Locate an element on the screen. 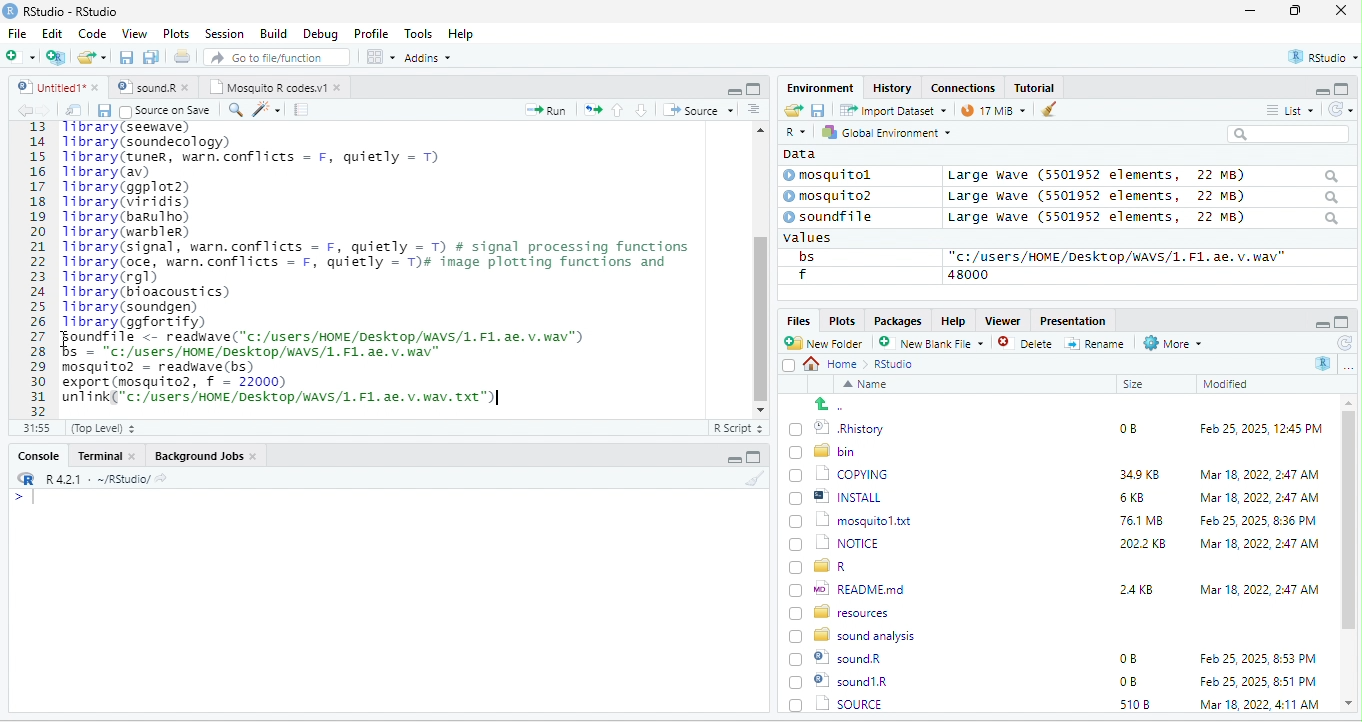 This screenshot has height=722, width=1362. clases is located at coordinates (965, 86).